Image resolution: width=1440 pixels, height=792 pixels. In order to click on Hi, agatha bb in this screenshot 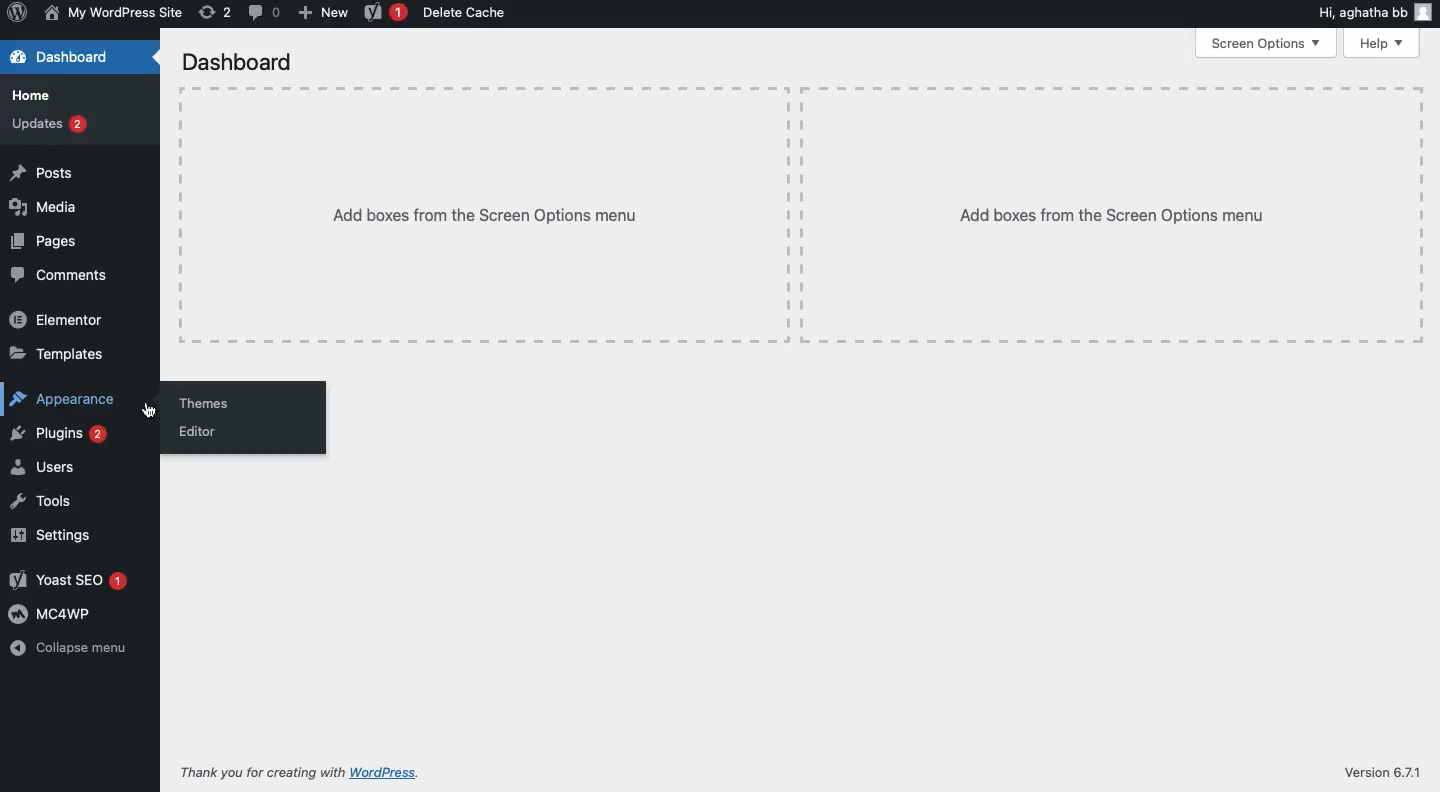, I will do `click(1358, 13)`.